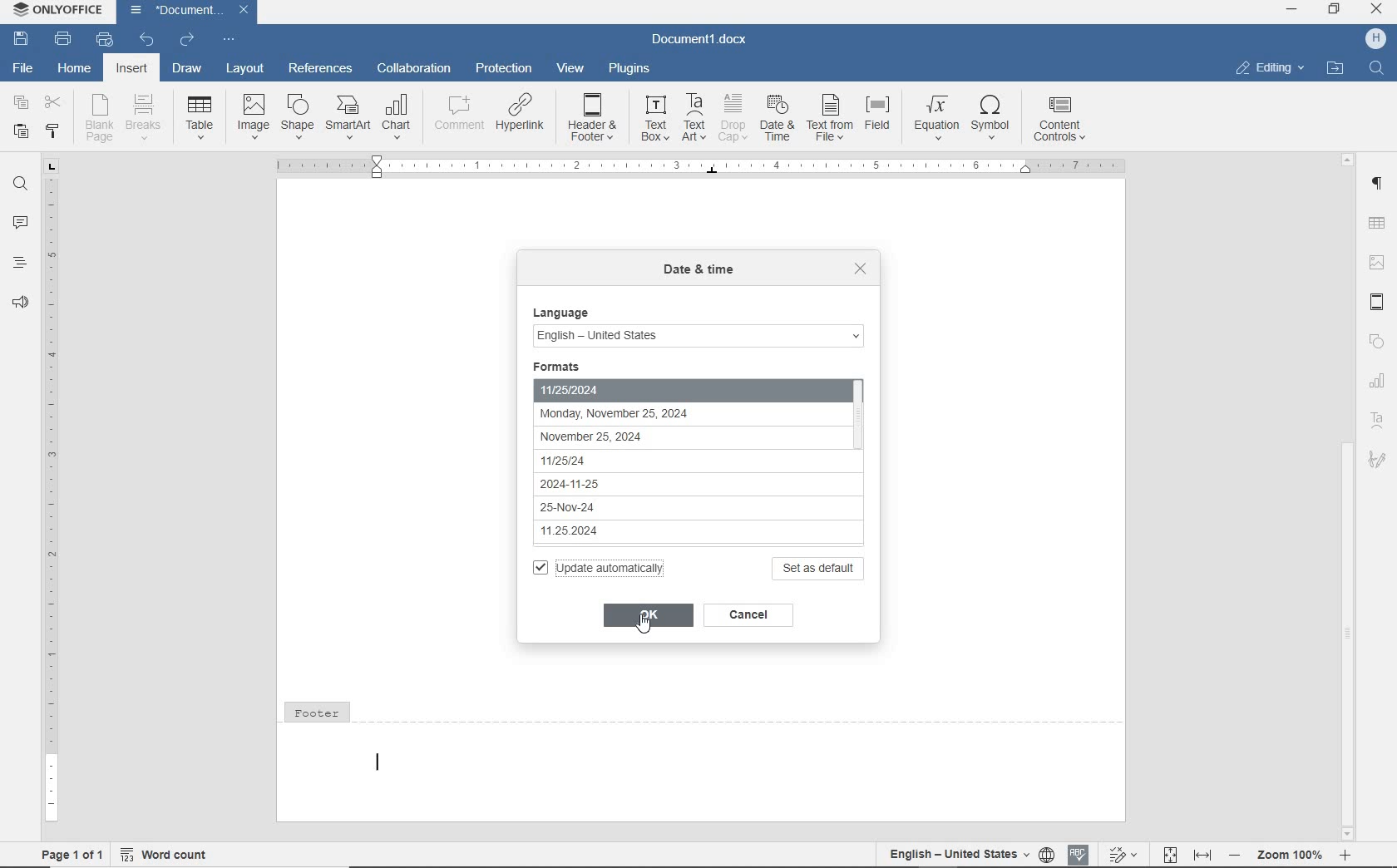 The height and width of the screenshot is (868, 1397). I want to click on save, so click(20, 38).